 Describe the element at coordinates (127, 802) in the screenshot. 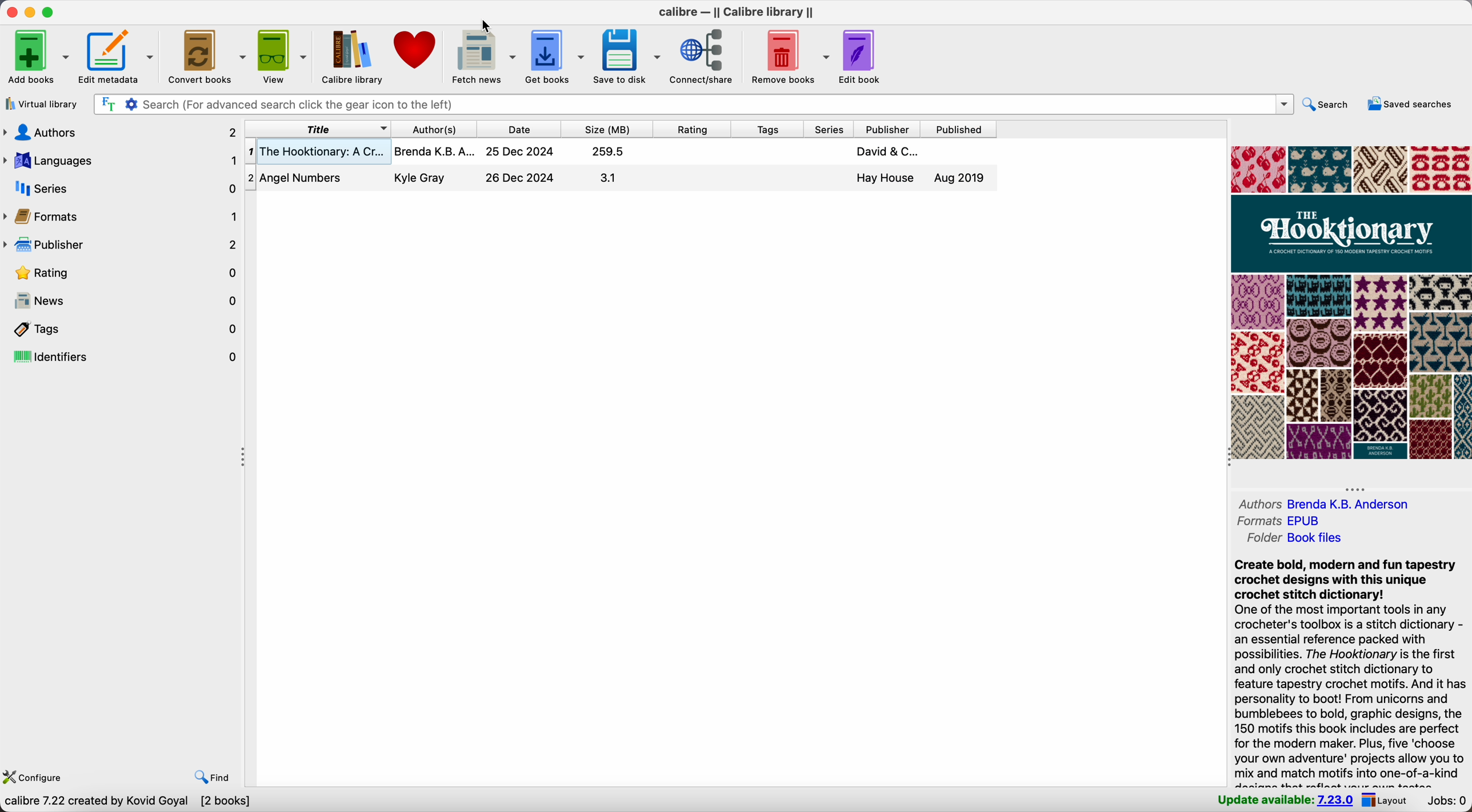

I see `data` at that location.